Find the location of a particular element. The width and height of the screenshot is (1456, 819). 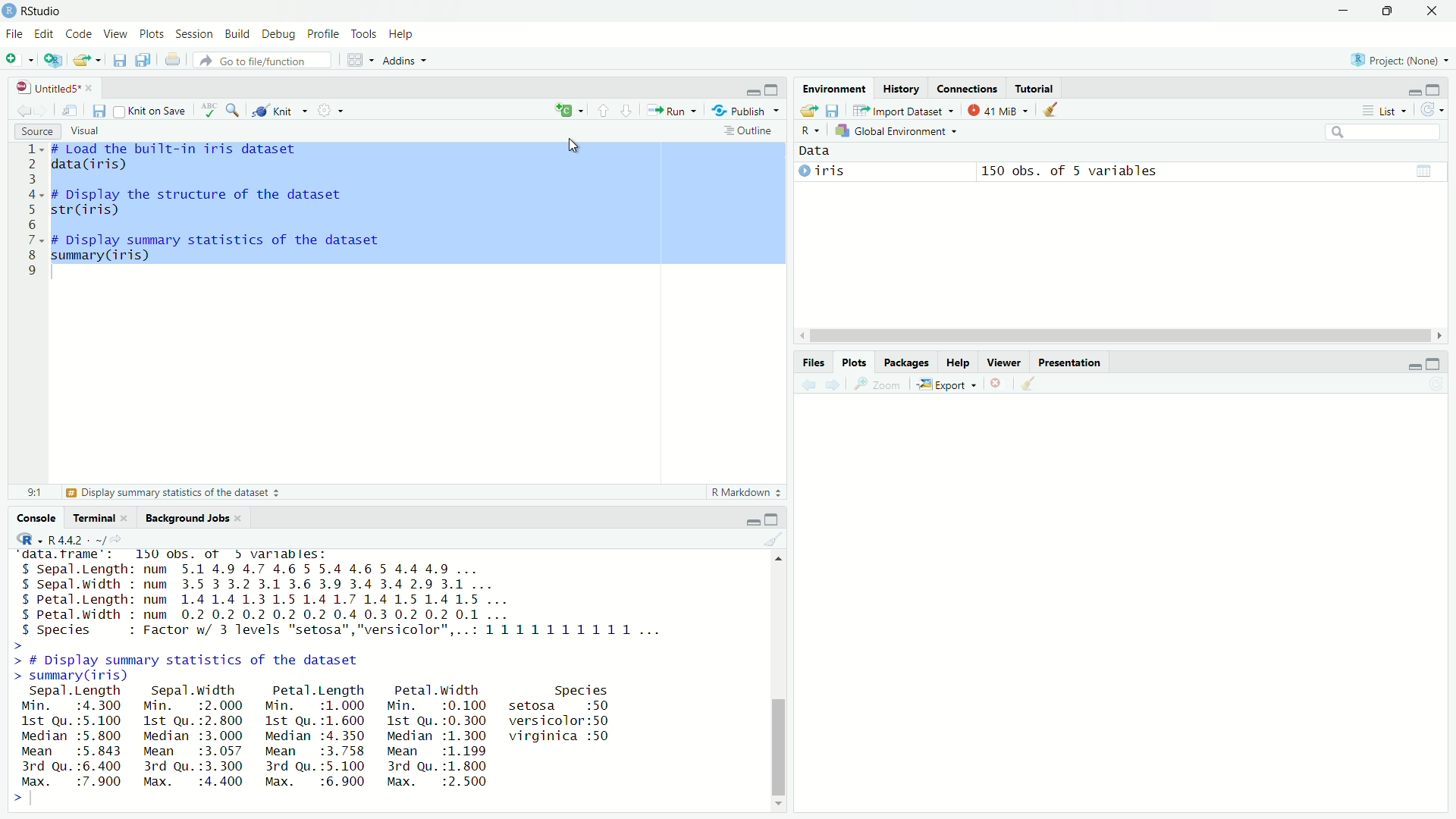

150 obs. of 5 variables is located at coordinates (1074, 171).